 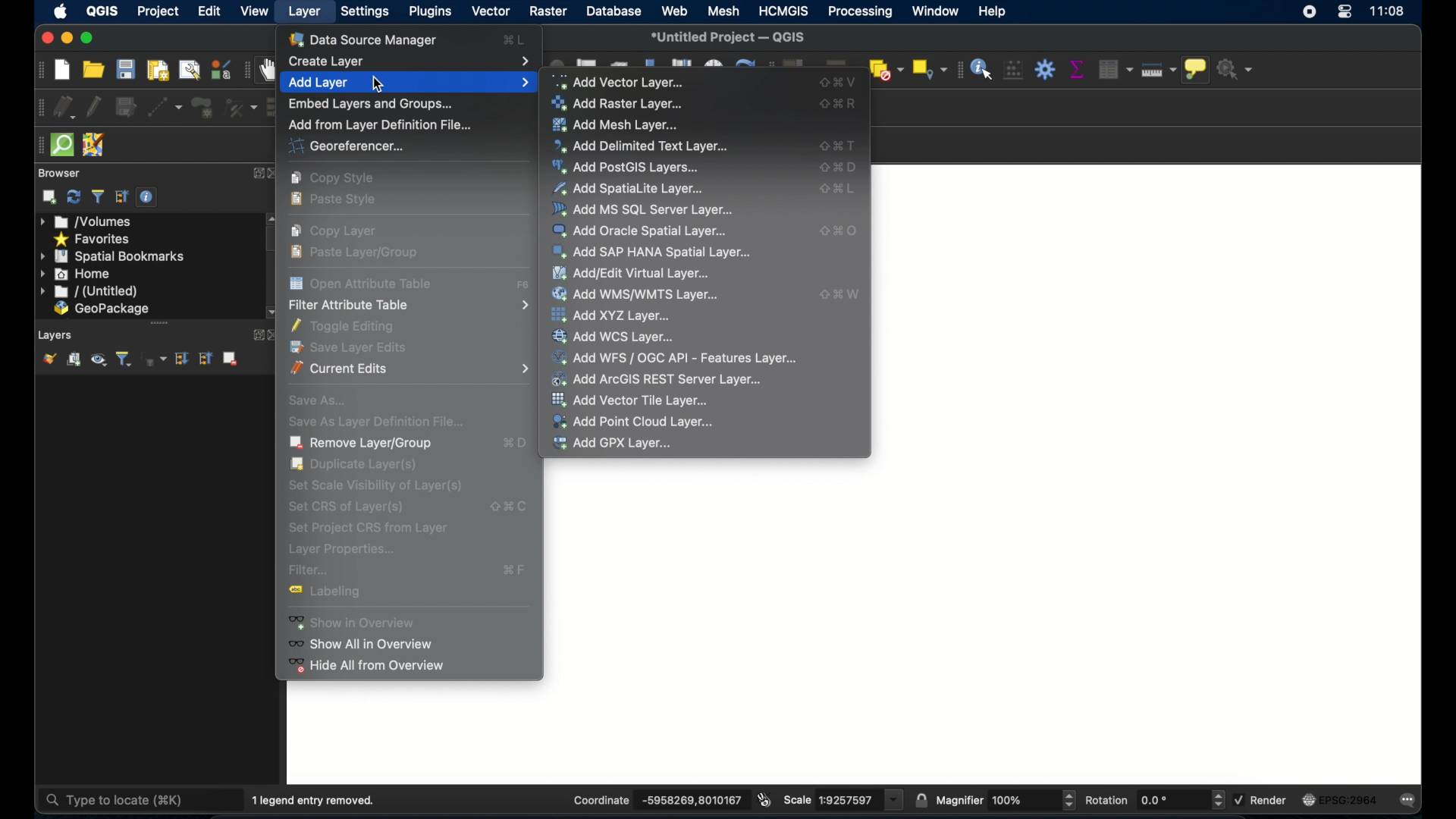 I want to click on scroll box, so click(x=275, y=240).